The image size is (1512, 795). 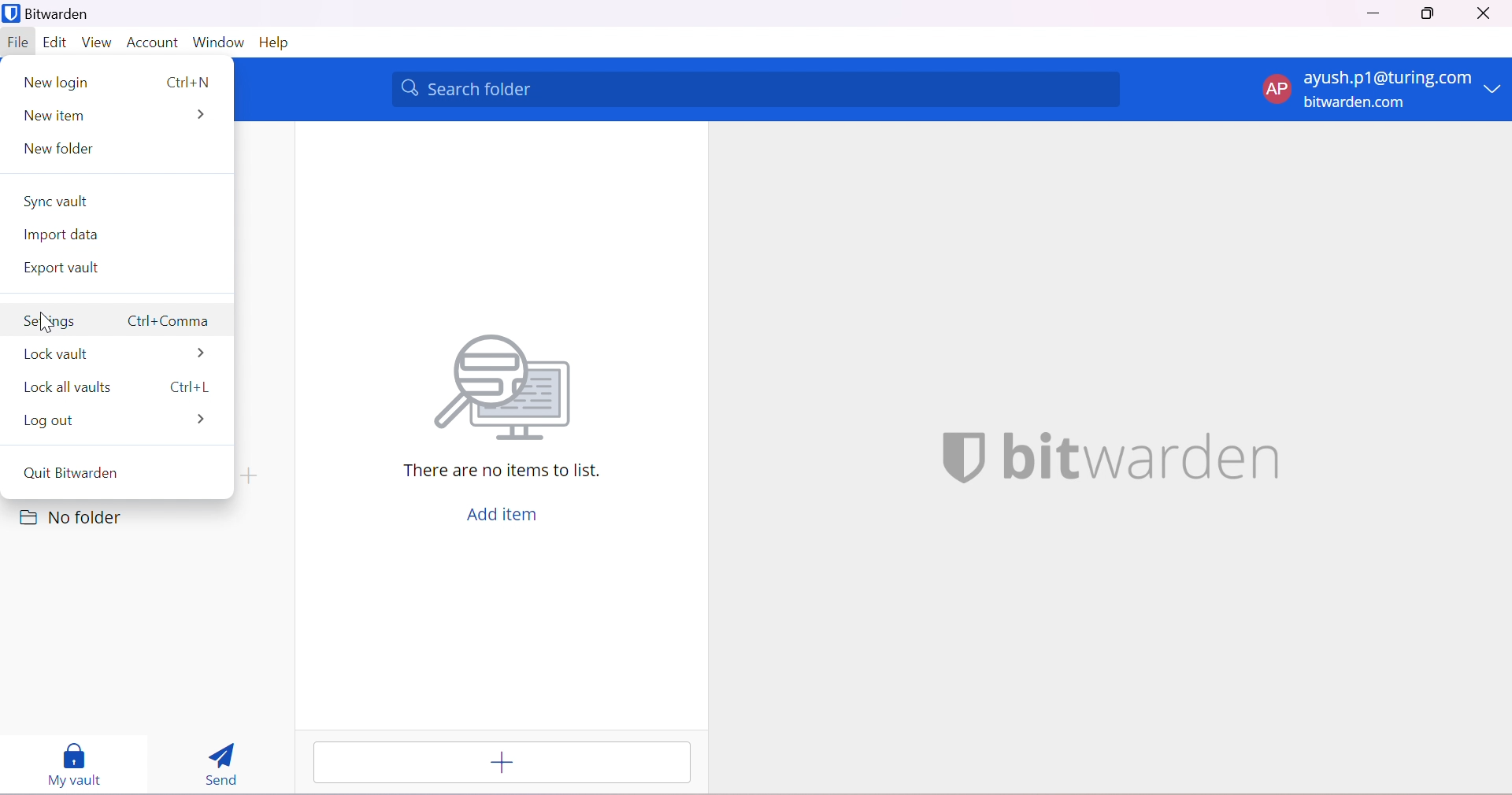 I want to click on View, so click(x=98, y=43).